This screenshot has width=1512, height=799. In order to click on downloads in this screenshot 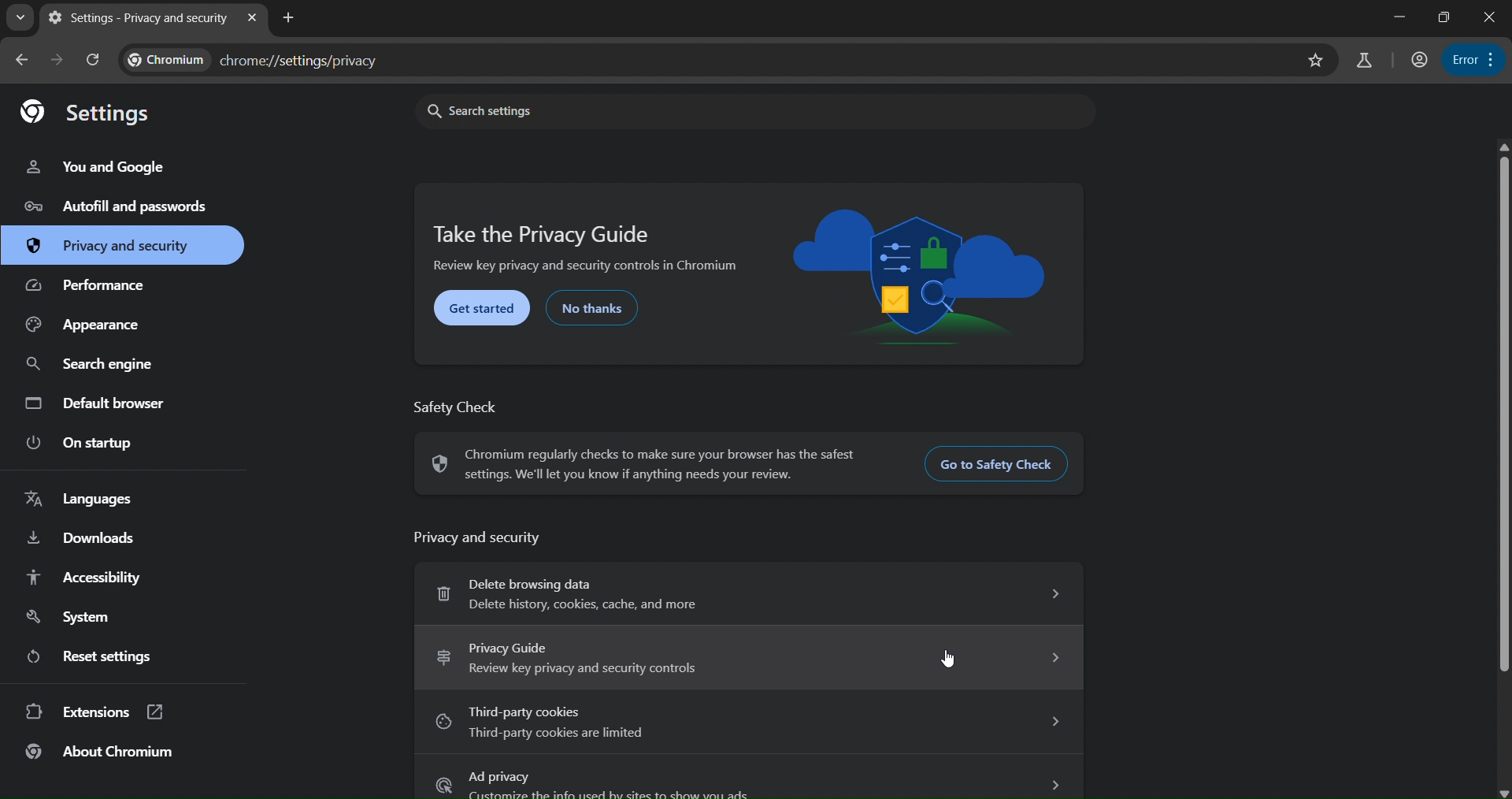, I will do `click(80, 539)`.